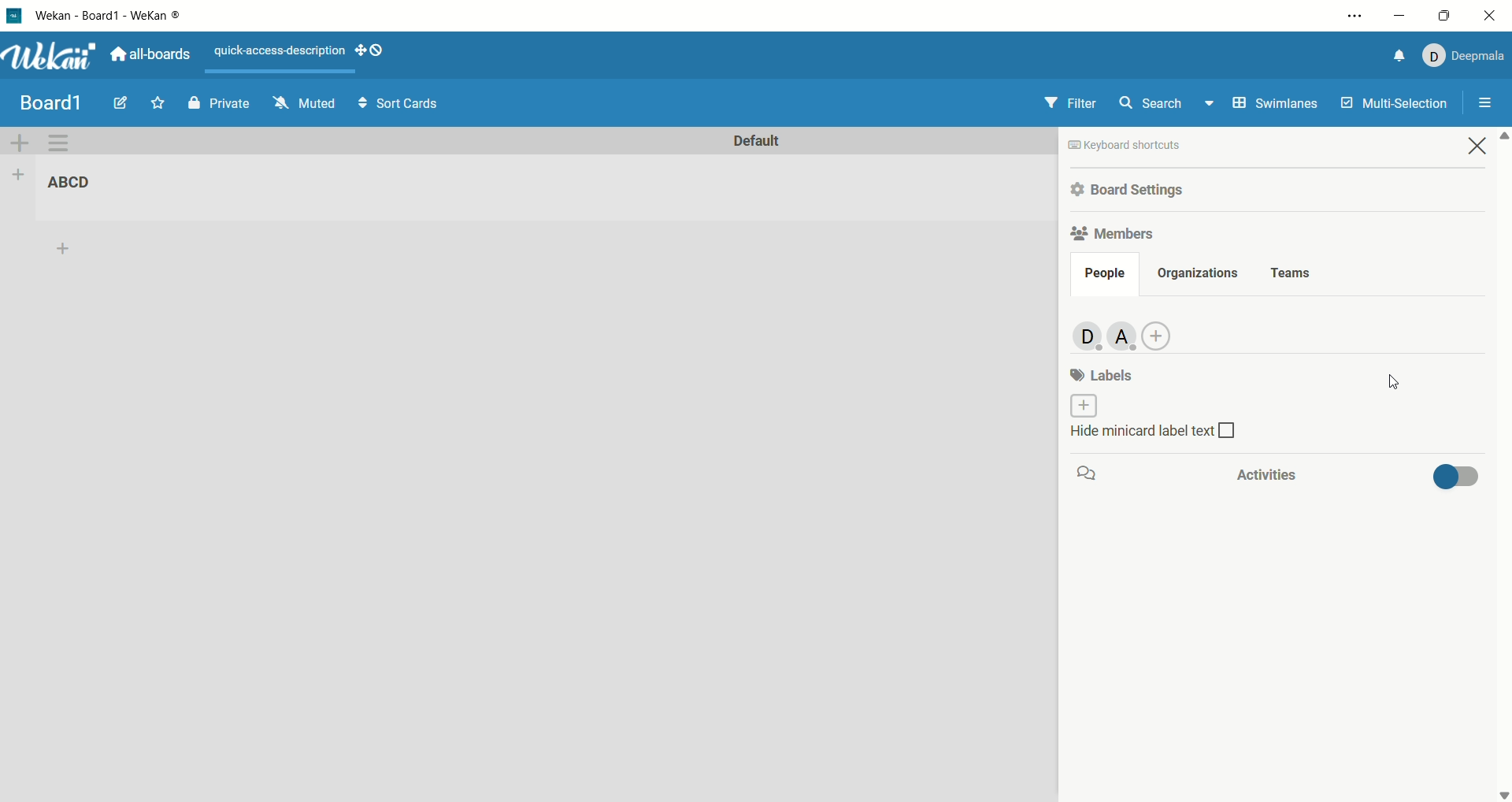 The height and width of the screenshot is (802, 1512). What do you see at coordinates (1104, 276) in the screenshot?
I see `people` at bounding box center [1104, 276].